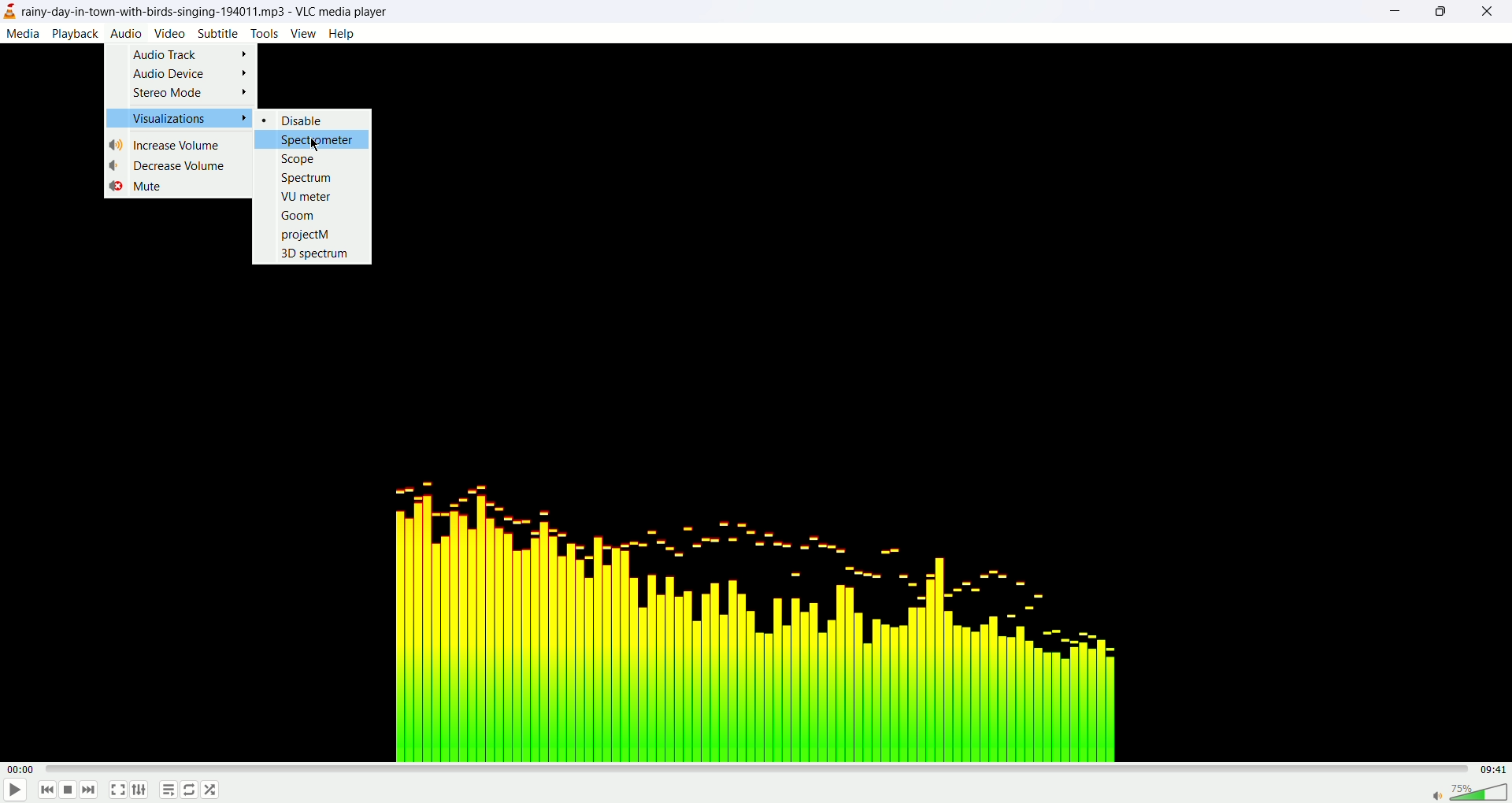  What do you see at coordinates (746, 616) in the screenshot?
I see `audio tune image` at bounding box center [746, 616].